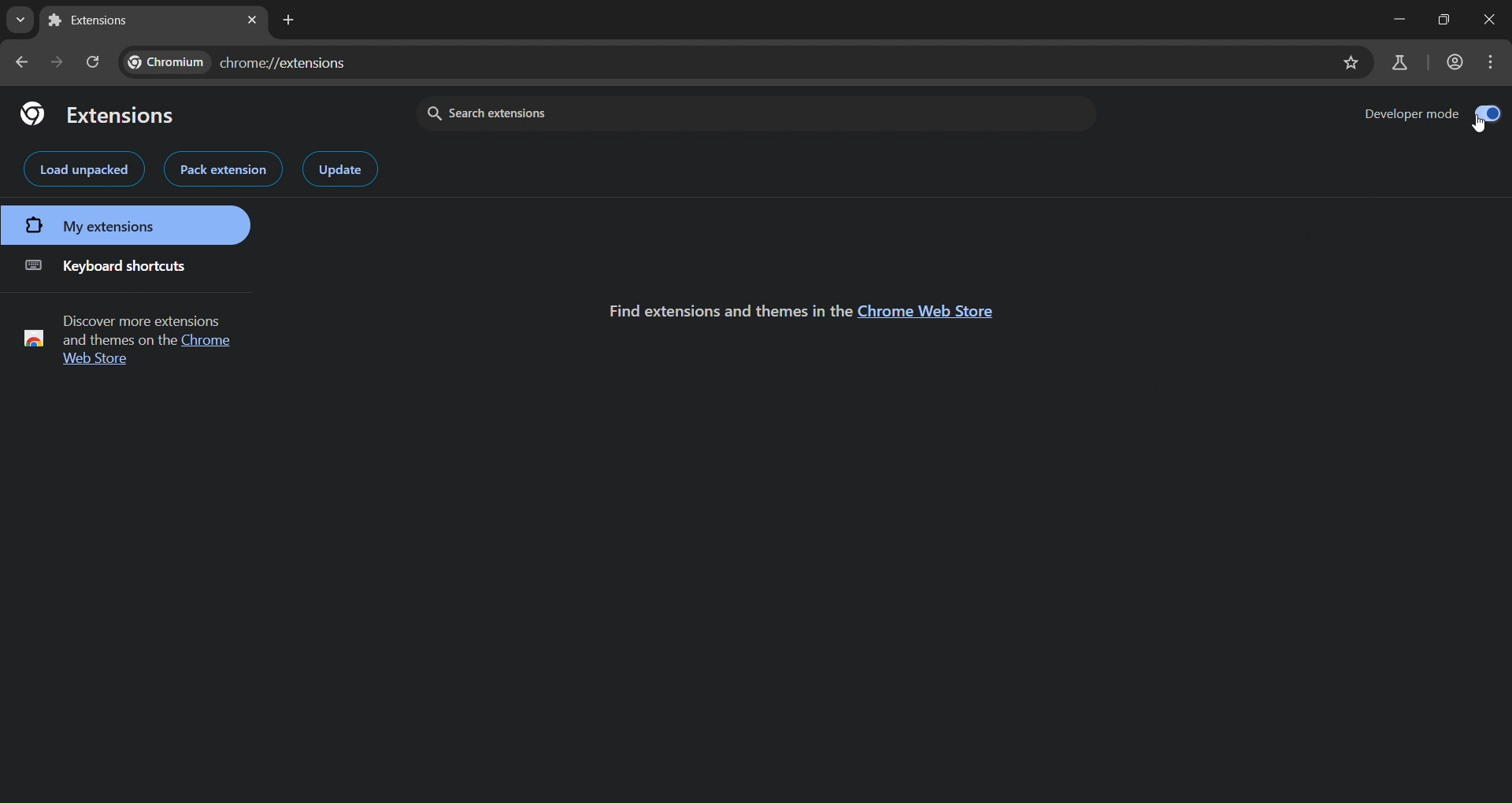 This screenshot has height=803, width=1512. I want to click on Discover more extensions, so click(140, 320).